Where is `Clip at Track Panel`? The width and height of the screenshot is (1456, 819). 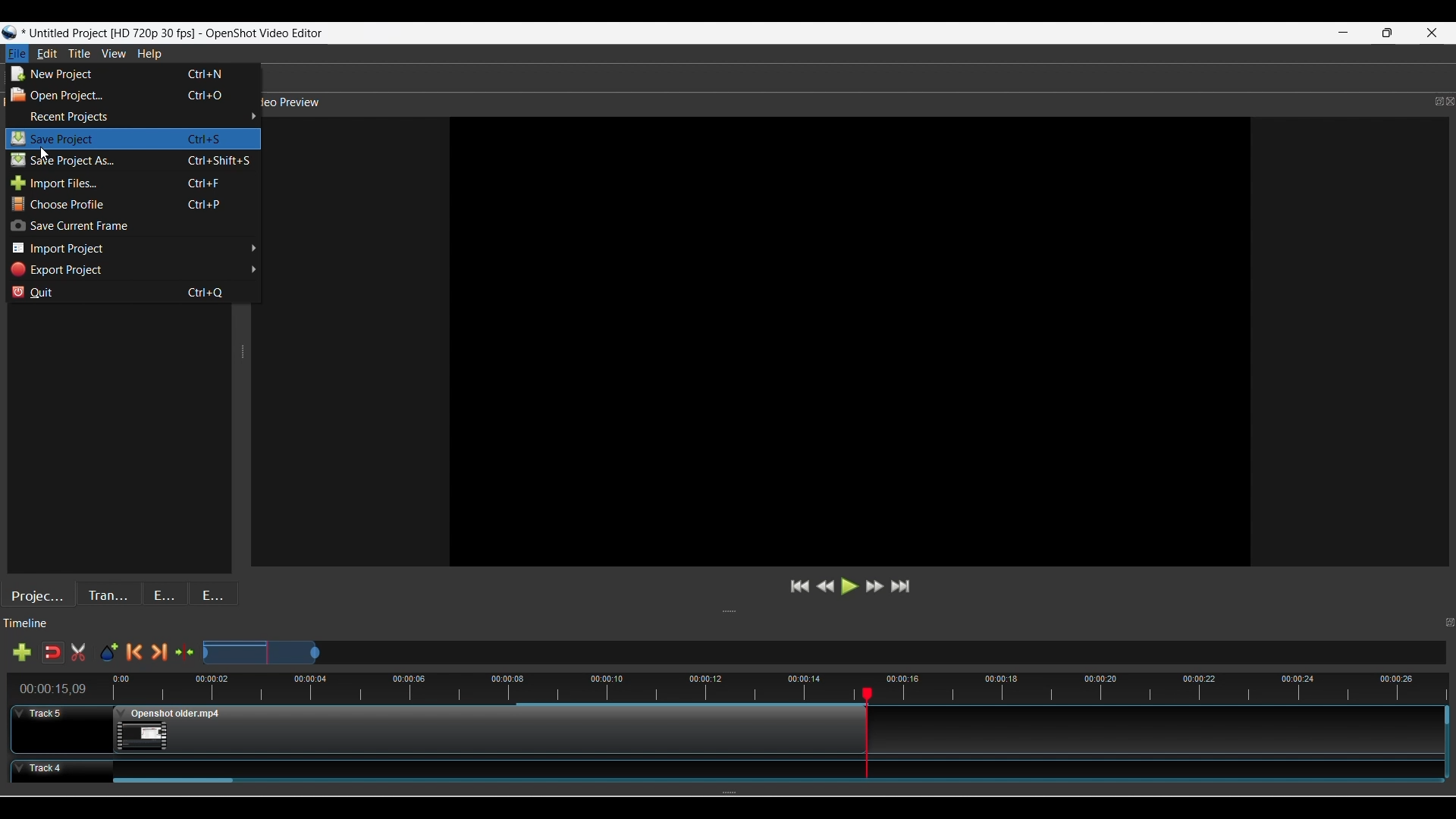
Clip at Track Panel is located at coordinates (492, 731).